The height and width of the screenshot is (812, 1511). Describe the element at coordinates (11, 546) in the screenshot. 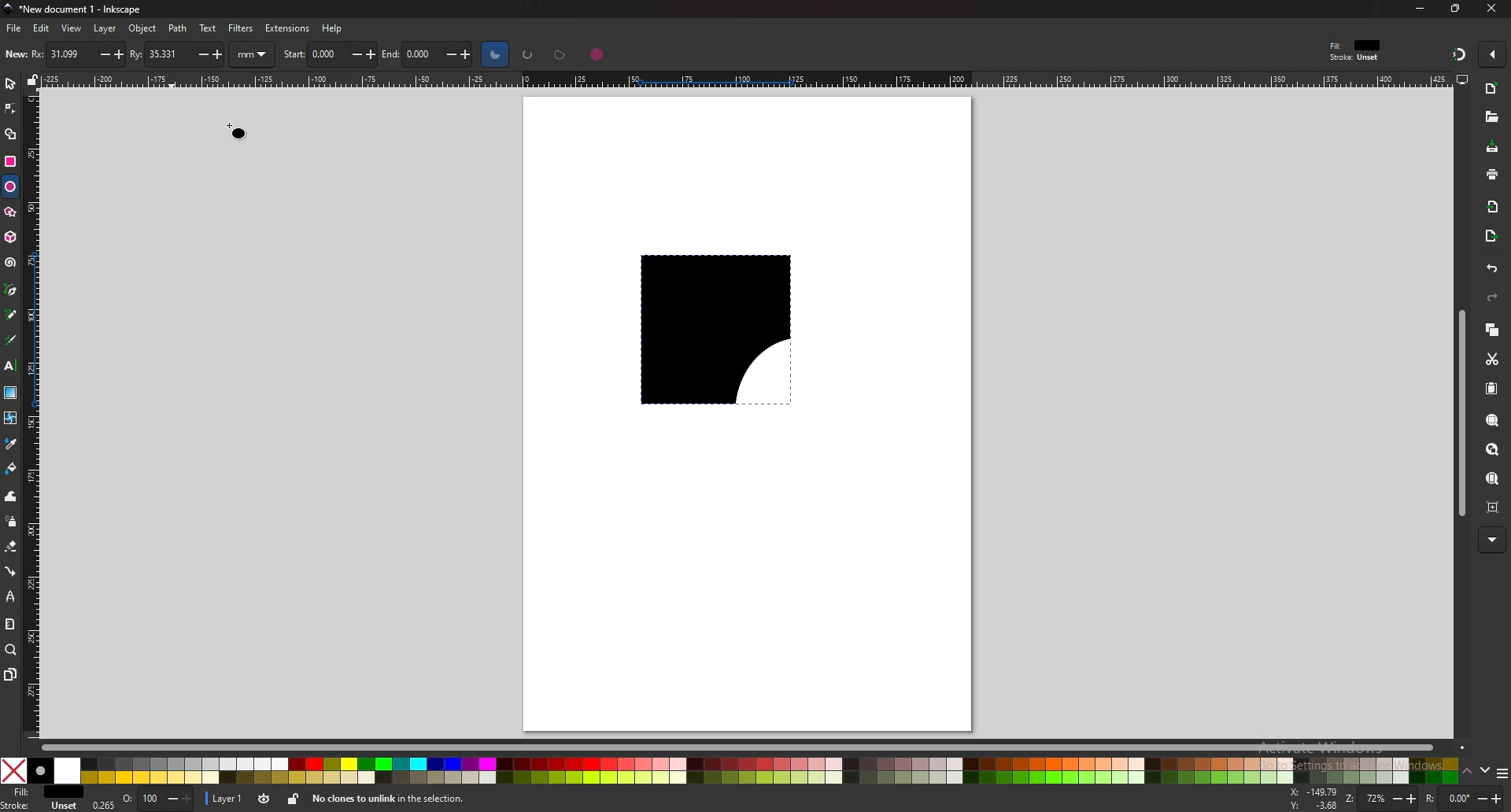

I see `eraser` at that location.